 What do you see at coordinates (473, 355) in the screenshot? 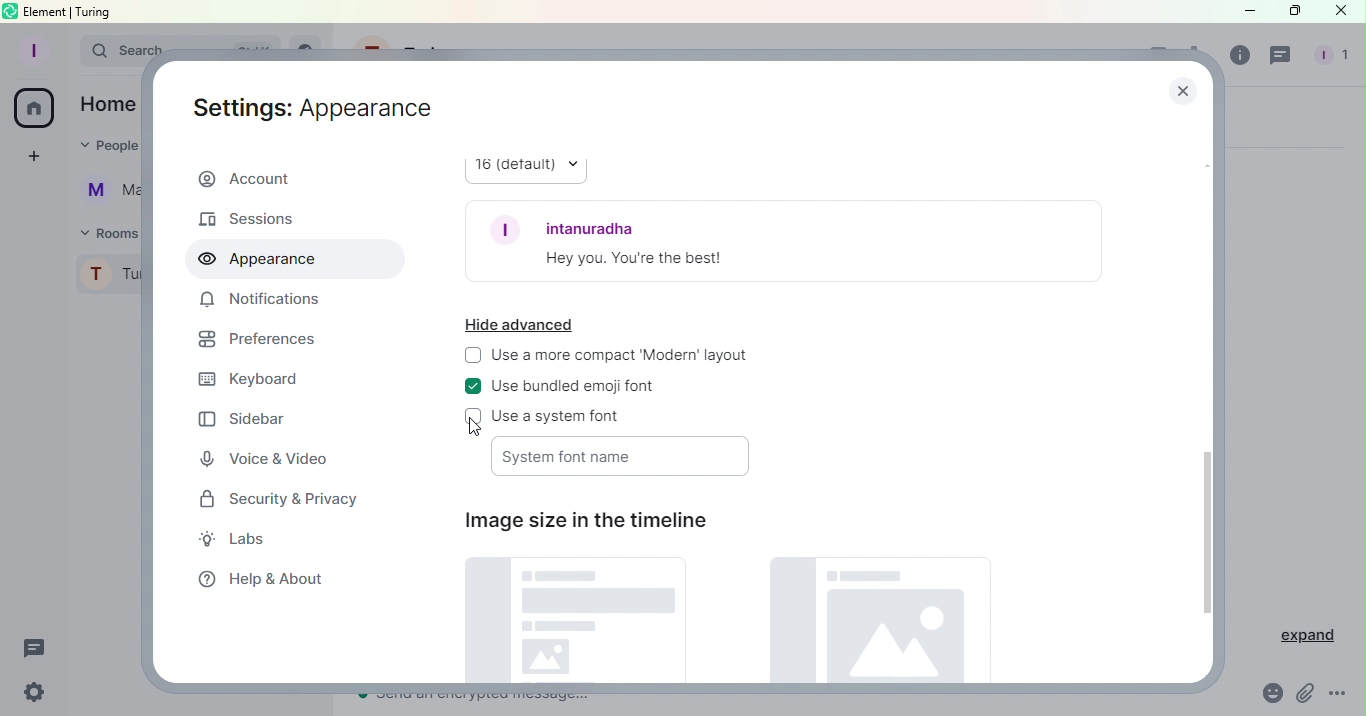
I see `check box` at bounding box center [473, 355].